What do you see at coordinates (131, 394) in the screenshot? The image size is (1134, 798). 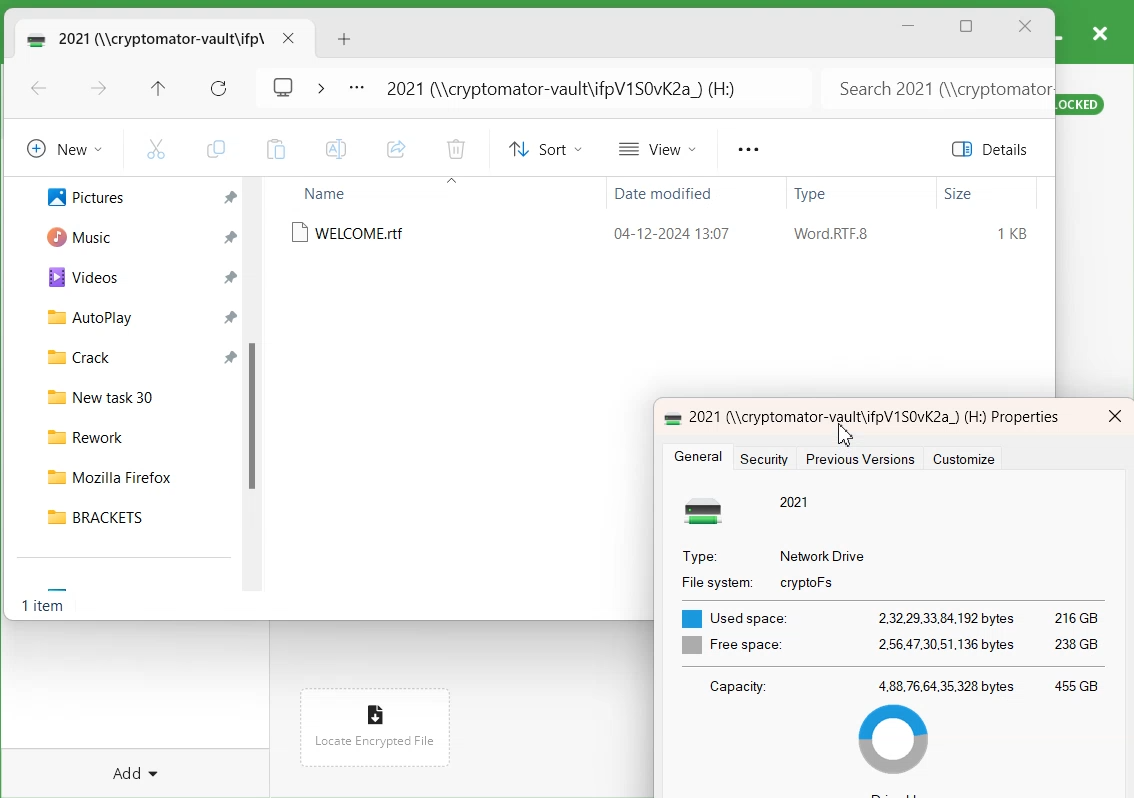 I see `New task 30` at bounding box center [131, 394].